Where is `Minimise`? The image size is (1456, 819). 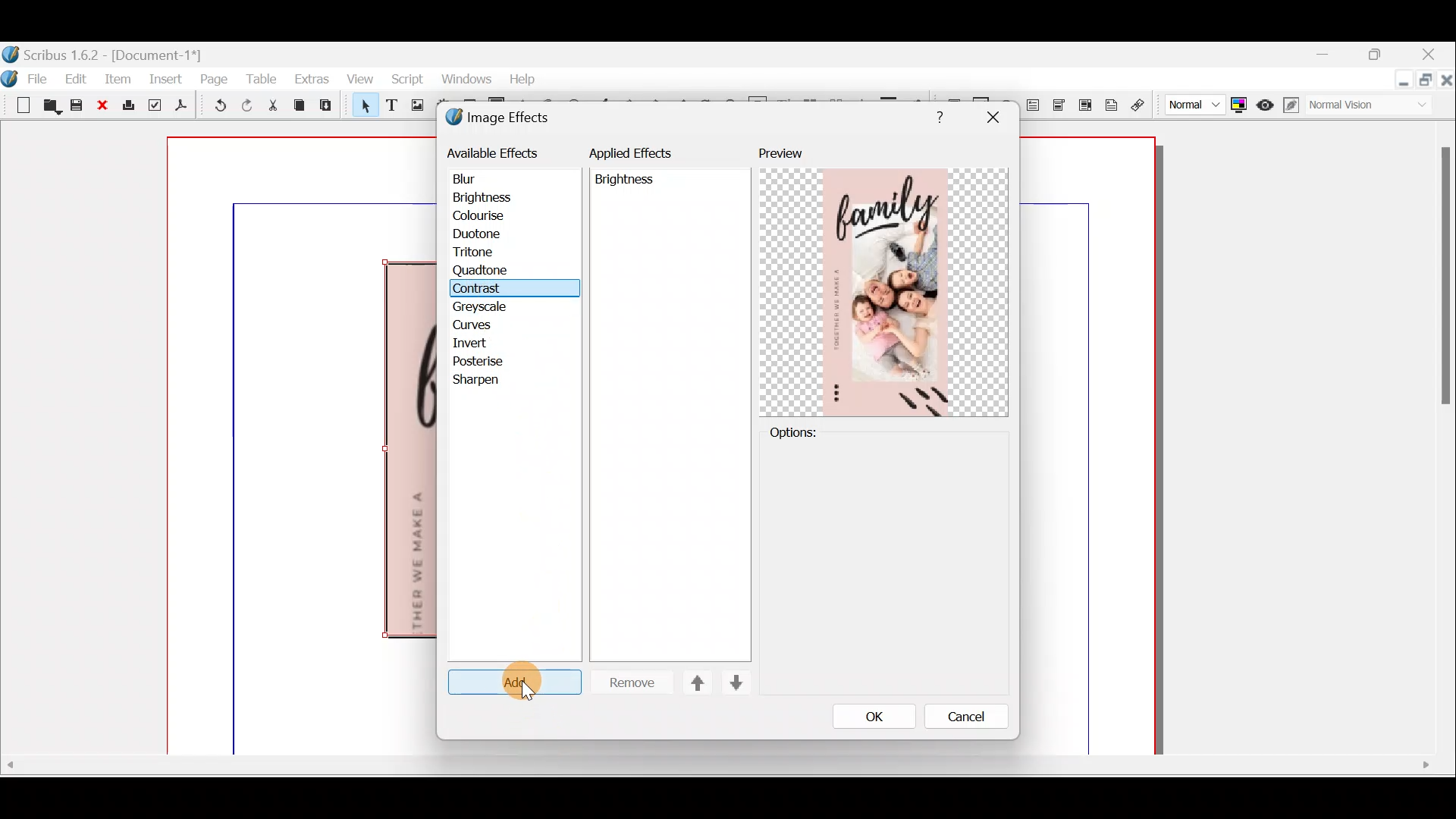
Minimise is located at coordinates (1402, 81).